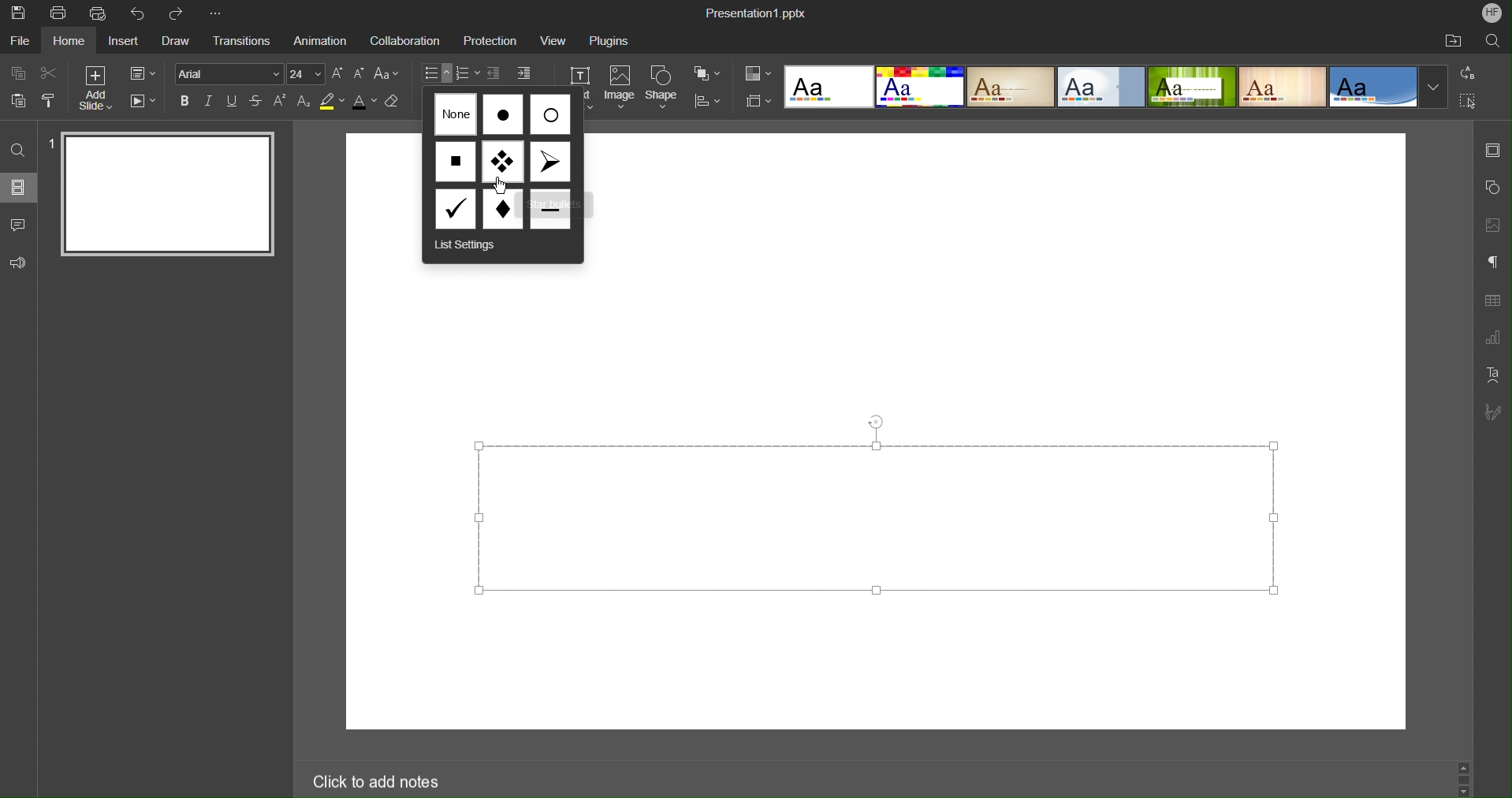 This screenshot has width=1512, height=798. I want to click on scroll up, so click(1463, 766).